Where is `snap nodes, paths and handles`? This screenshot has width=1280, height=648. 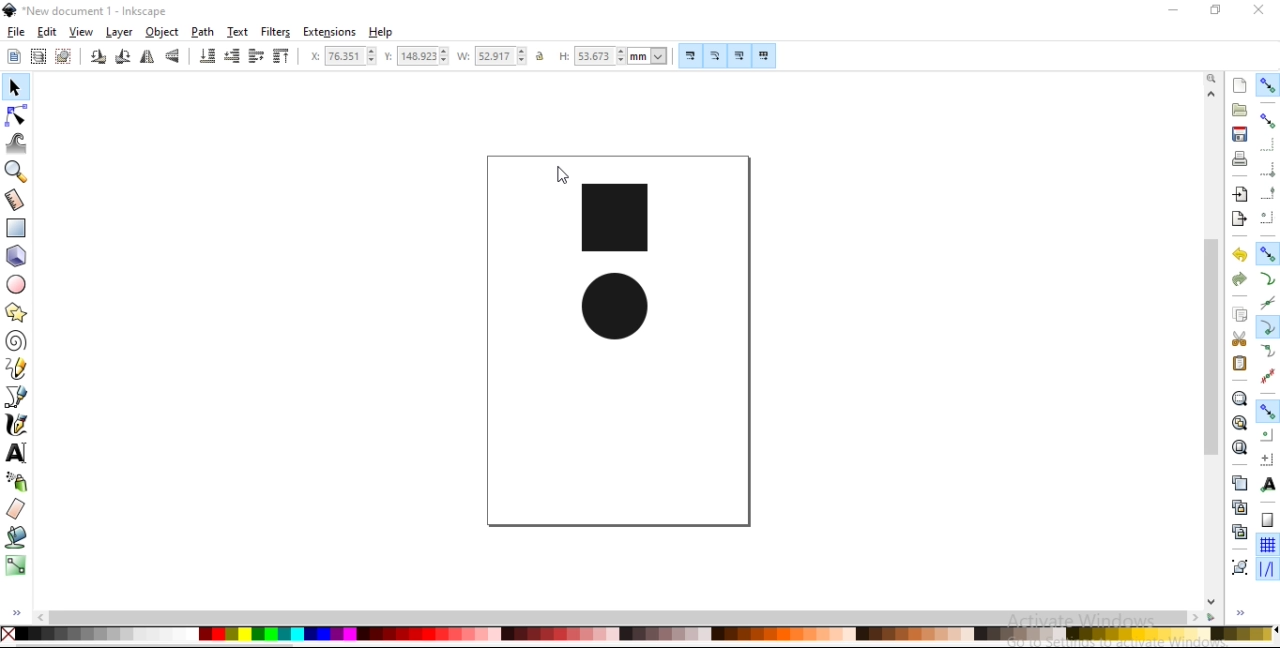 snap nodes, paths and handles is located at coordinates (1268, 253).